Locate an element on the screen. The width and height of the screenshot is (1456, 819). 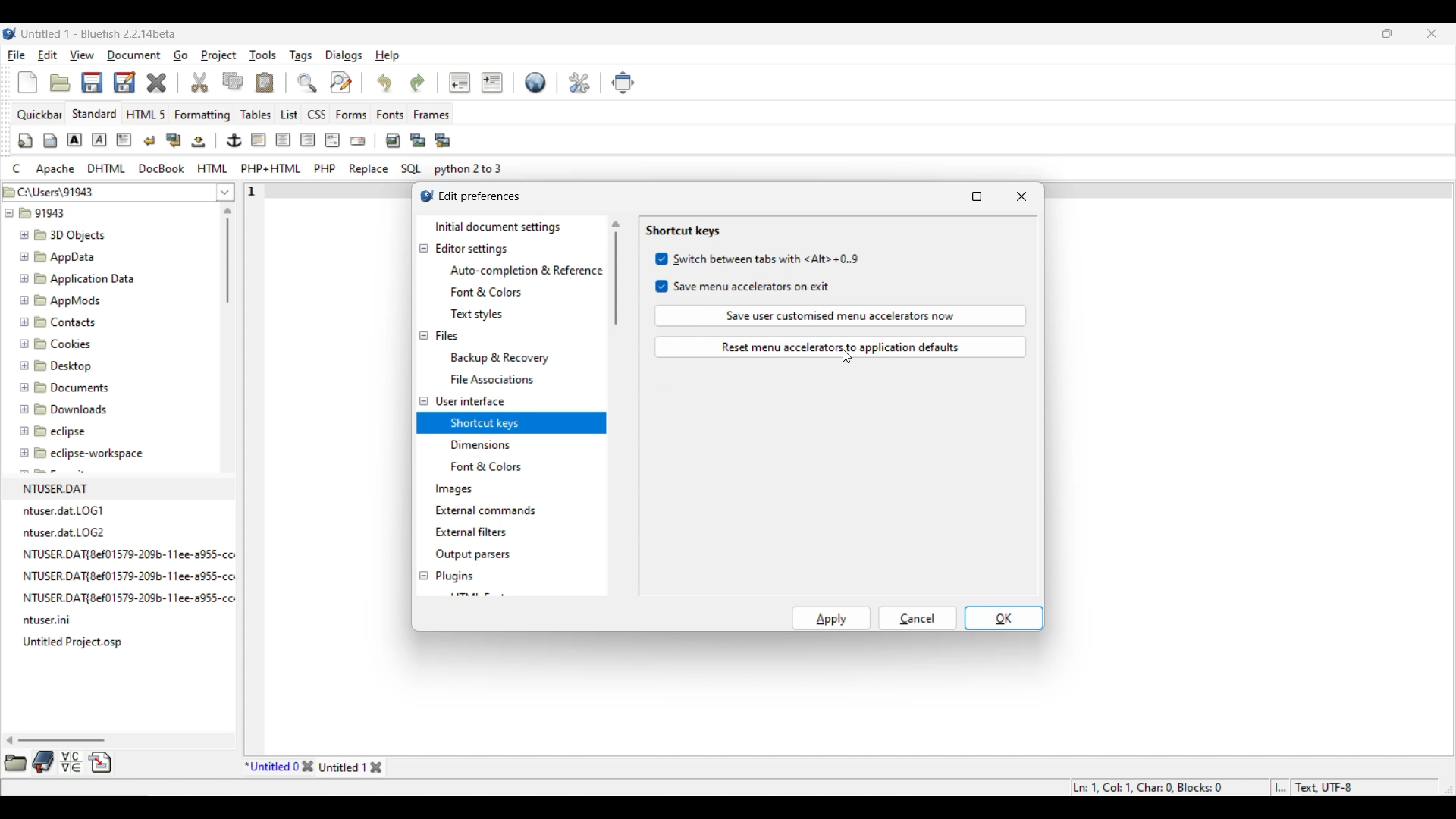
Collapse settings is located at coordinates (423, 413).